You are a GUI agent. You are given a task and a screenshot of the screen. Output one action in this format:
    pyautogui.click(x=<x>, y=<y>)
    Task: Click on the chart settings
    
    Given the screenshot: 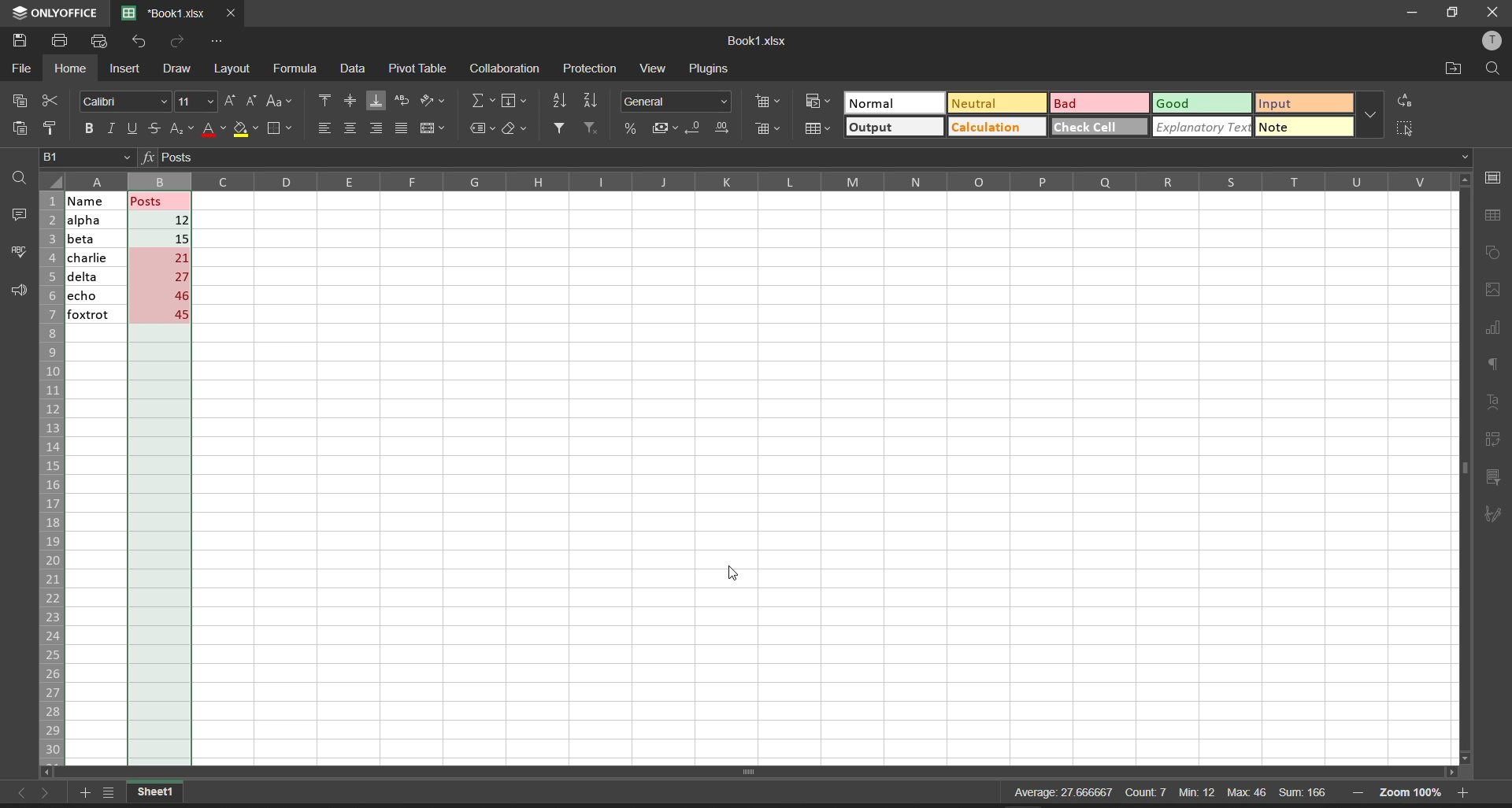 What is the action you would take?
    pyautogui.click(x=1497, y=329)
    